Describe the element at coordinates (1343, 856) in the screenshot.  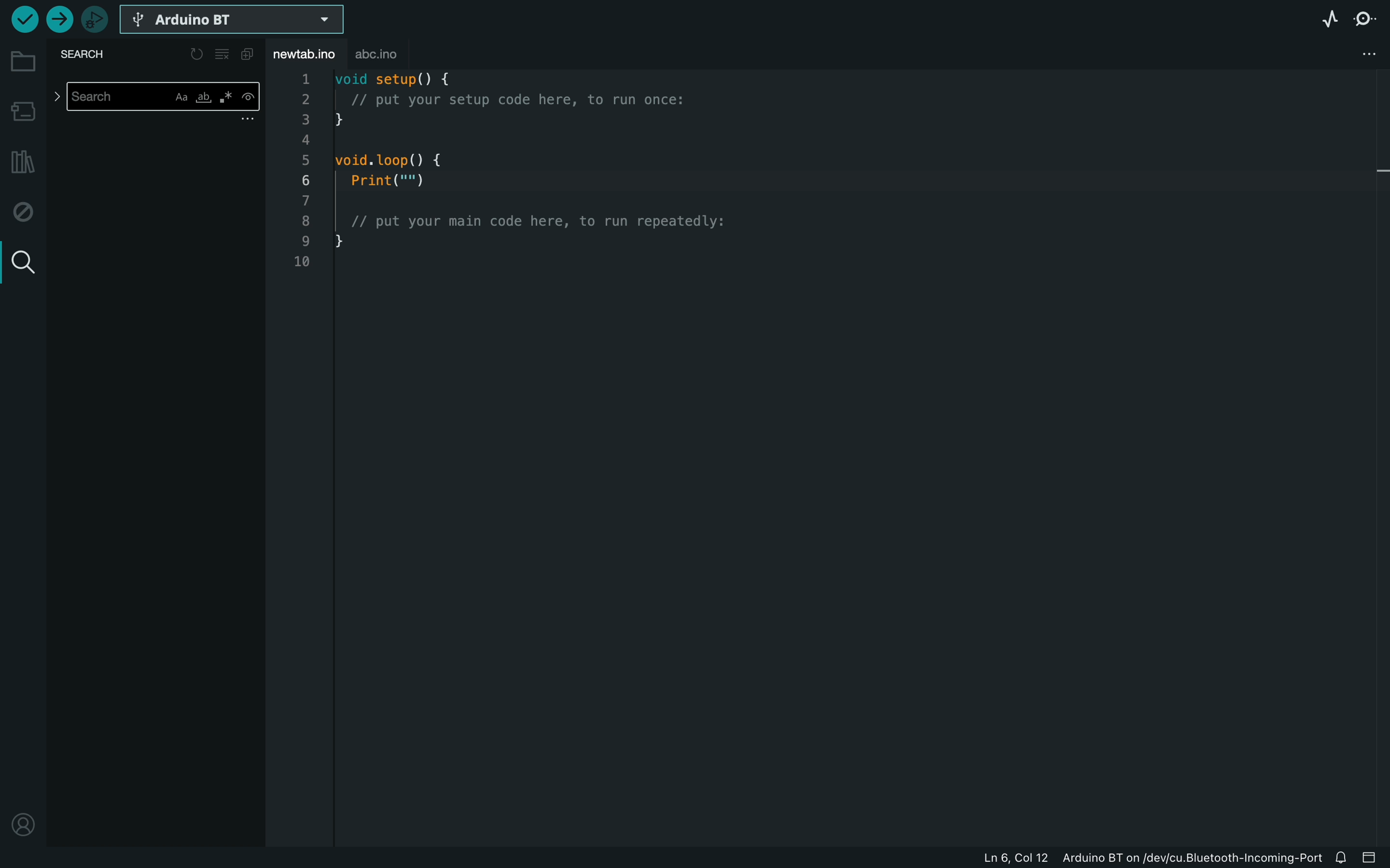
I see `notification` at that location.